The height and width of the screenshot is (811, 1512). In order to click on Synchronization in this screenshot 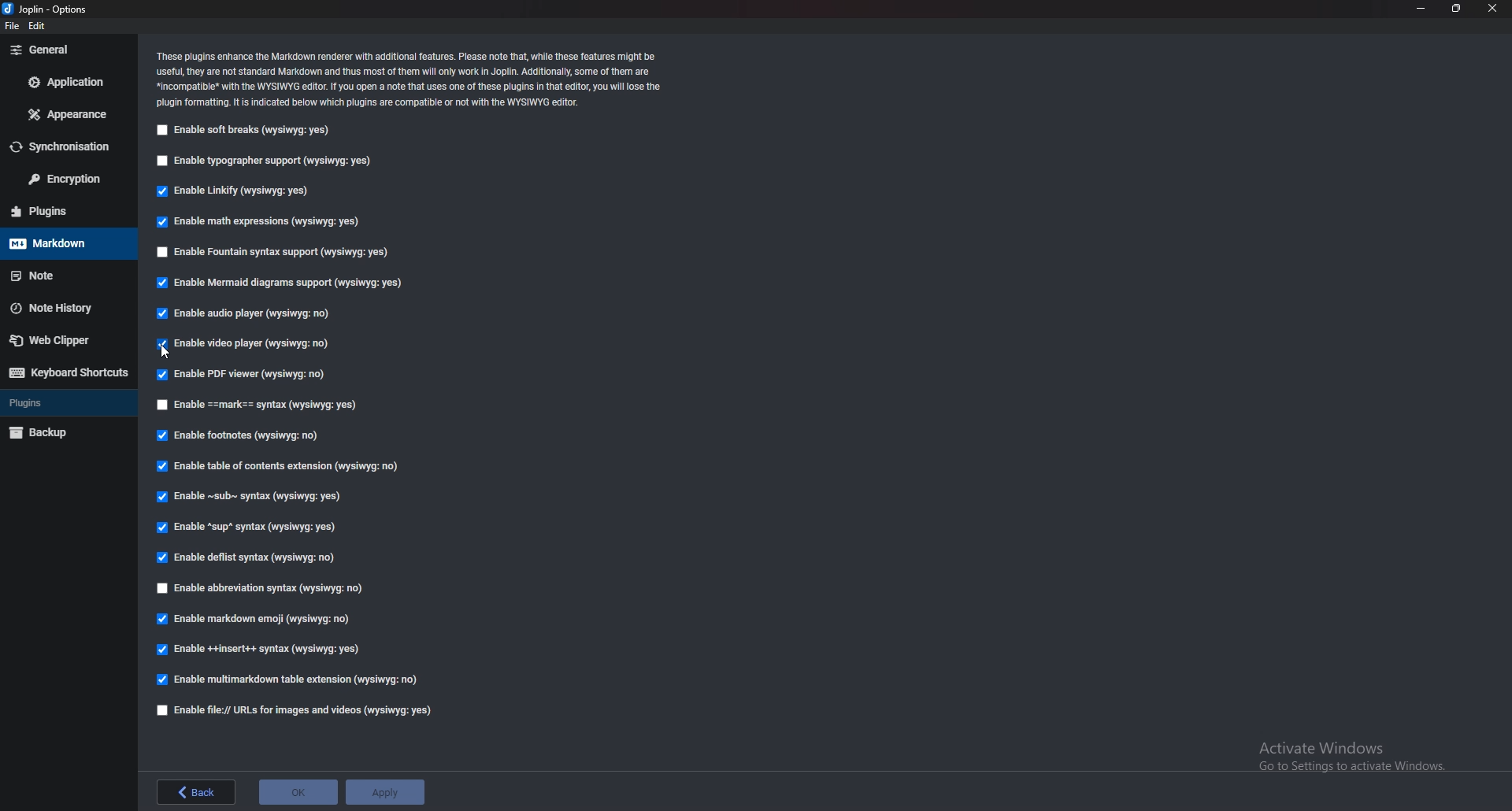, I will do `click(66, 148)`.